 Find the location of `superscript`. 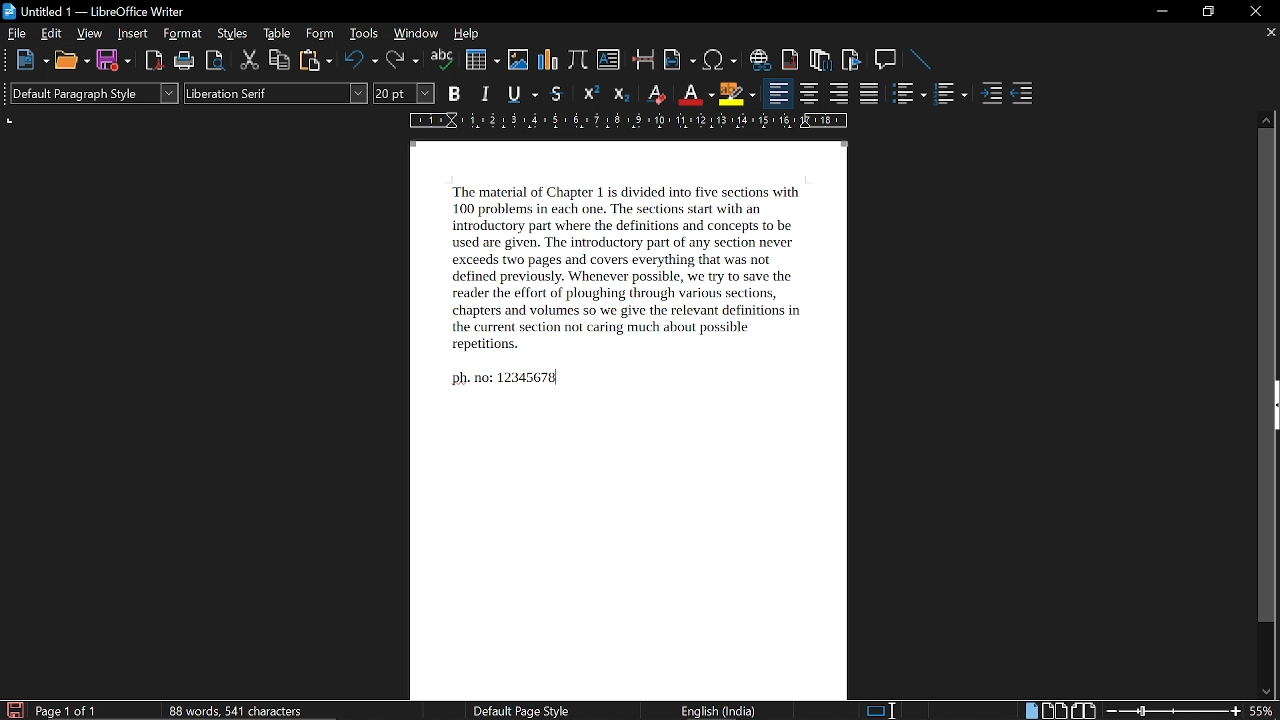

superscript is located at coordinates (588, 95).